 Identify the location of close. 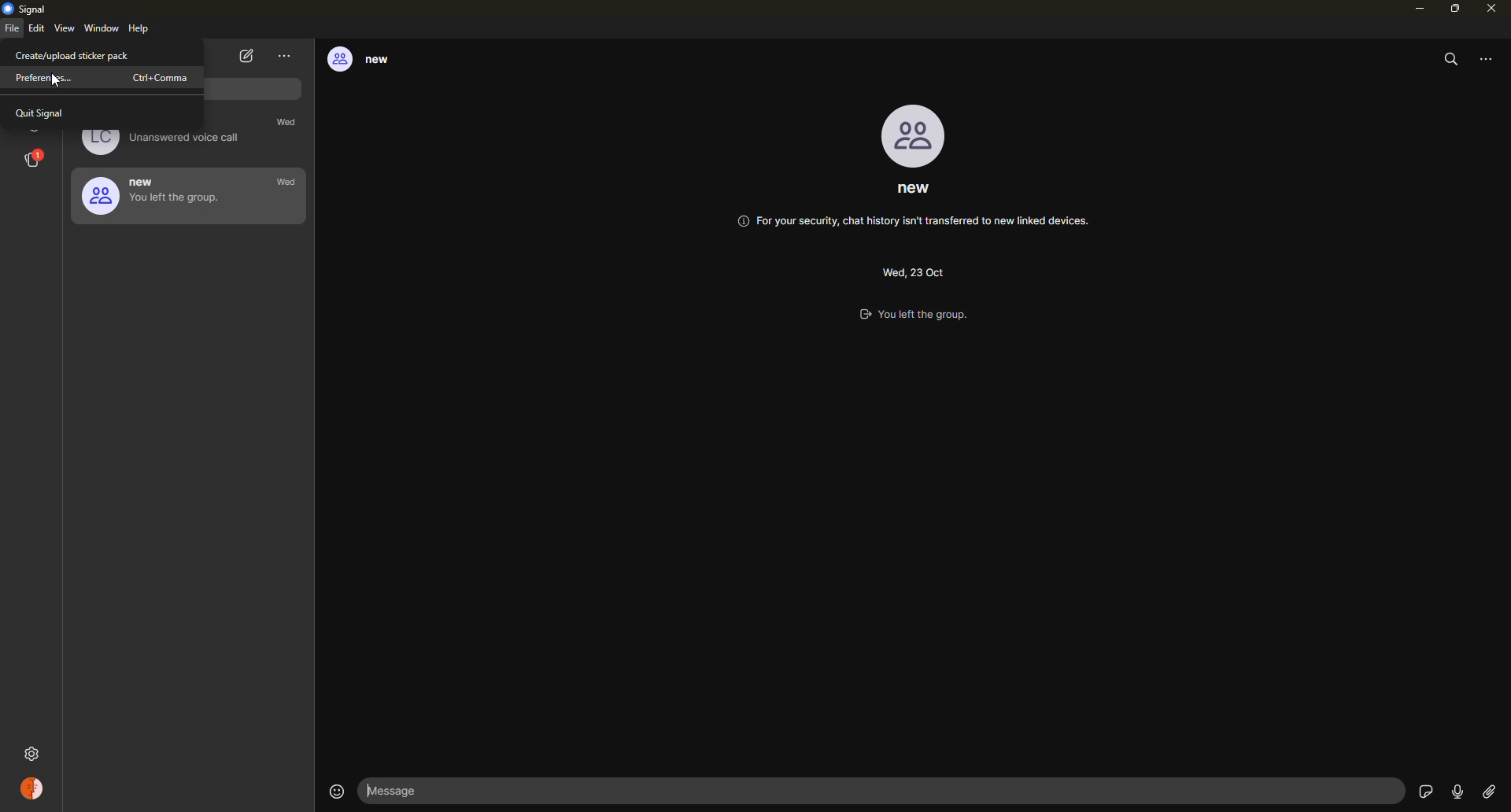
(1493, 8).